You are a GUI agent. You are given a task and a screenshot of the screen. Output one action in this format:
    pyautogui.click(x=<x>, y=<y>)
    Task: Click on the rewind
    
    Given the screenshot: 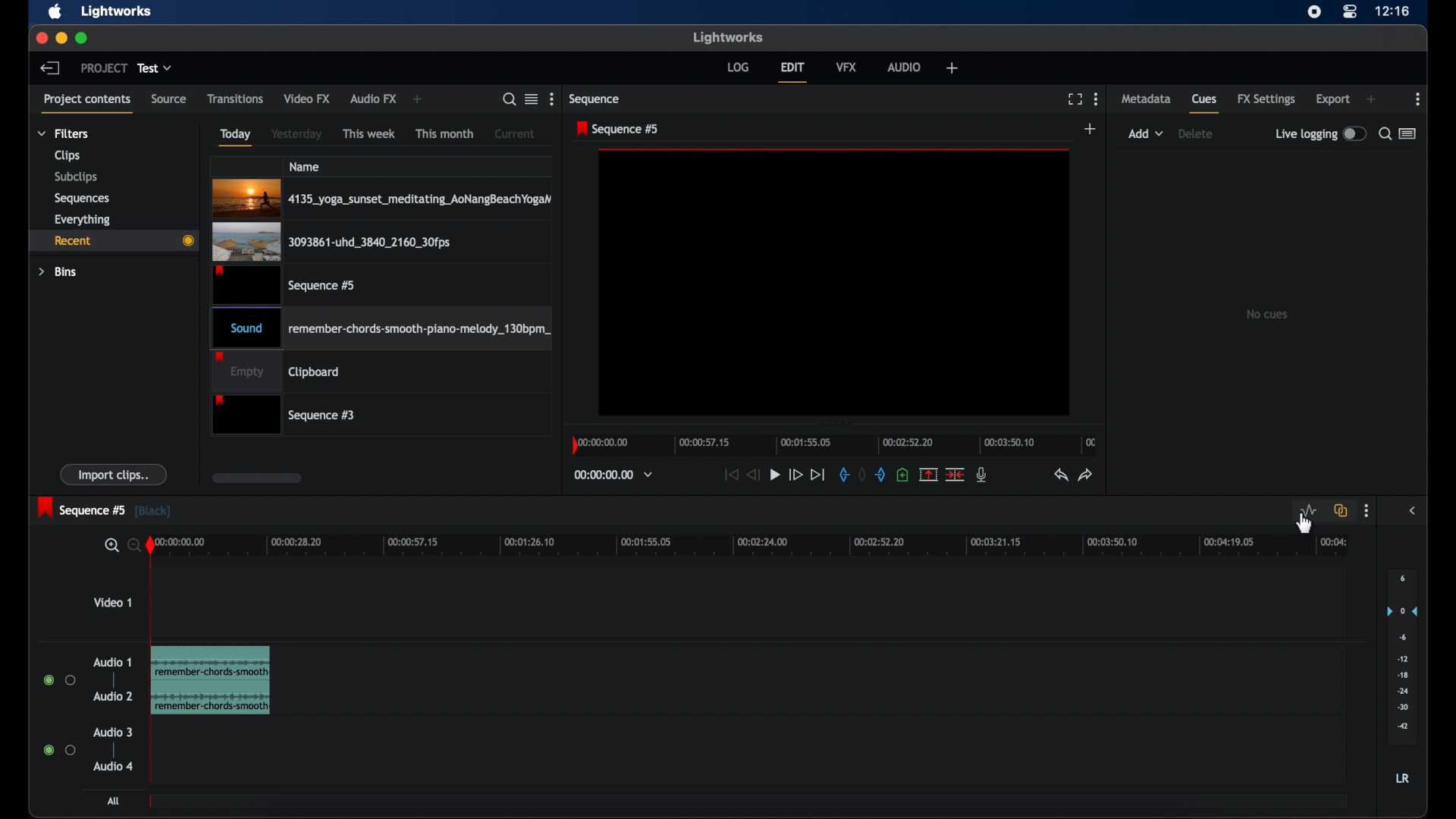 What is the action you would take?
    pyautogui.click(x=752, y=473)
    